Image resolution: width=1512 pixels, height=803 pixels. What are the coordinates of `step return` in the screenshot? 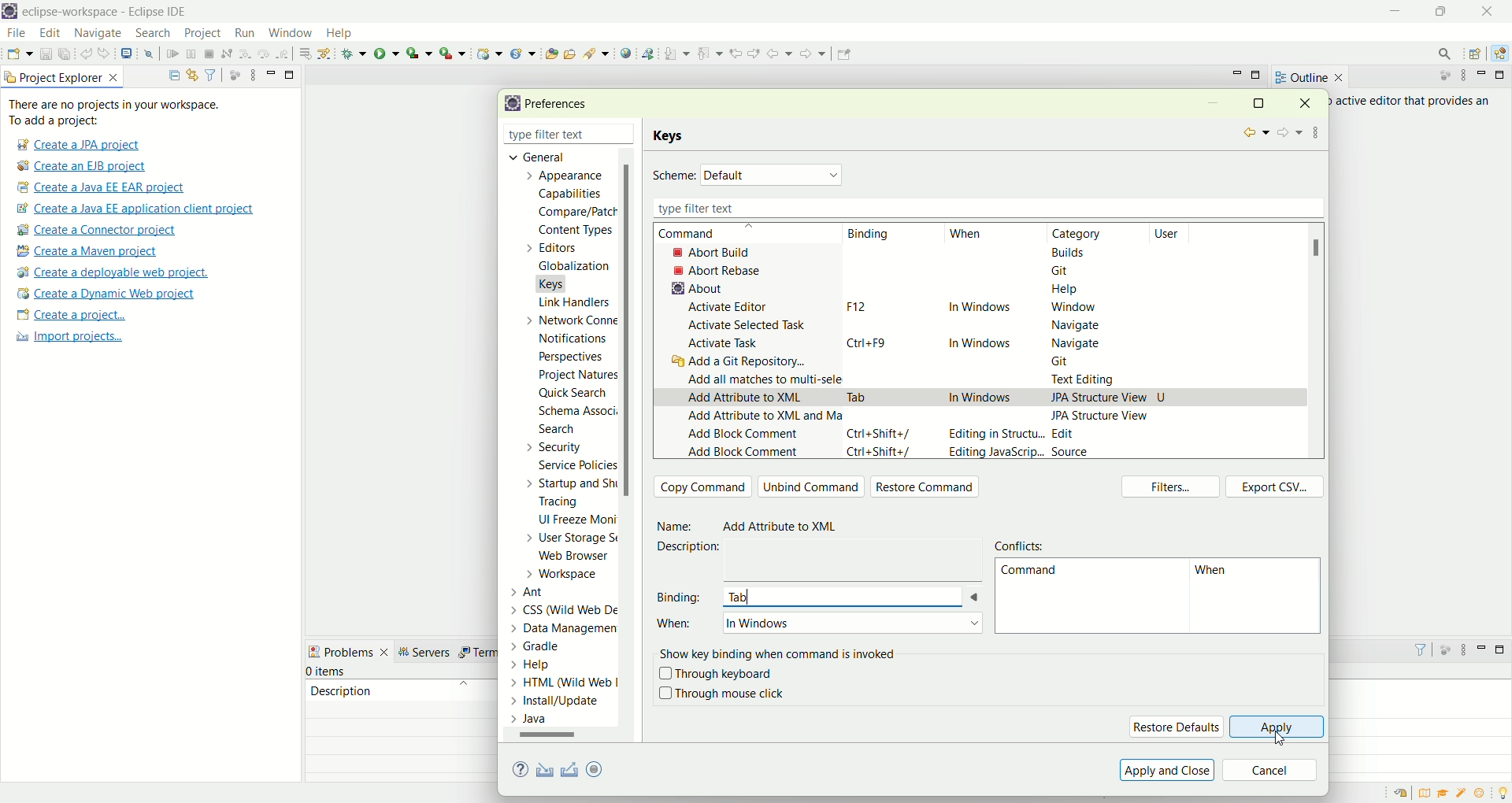 It's located at (285, 52).